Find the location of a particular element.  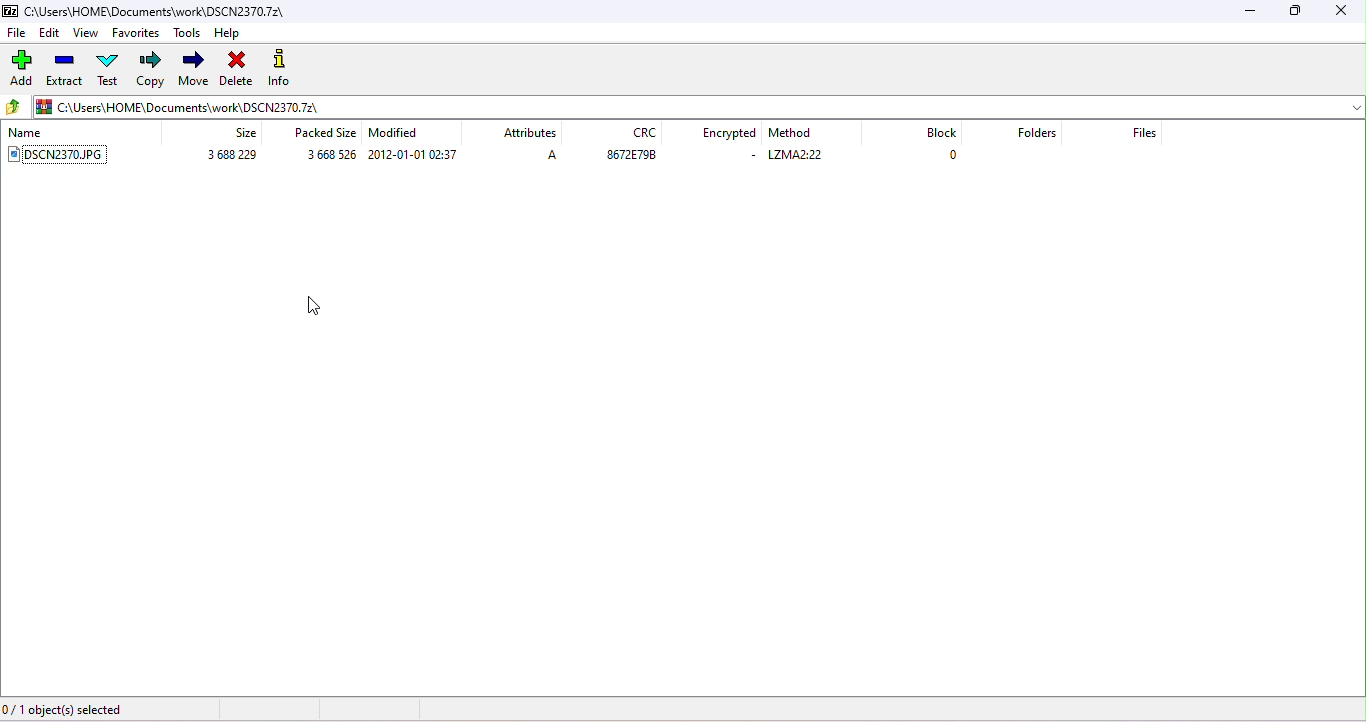

A is located at coordinates (552, 153).